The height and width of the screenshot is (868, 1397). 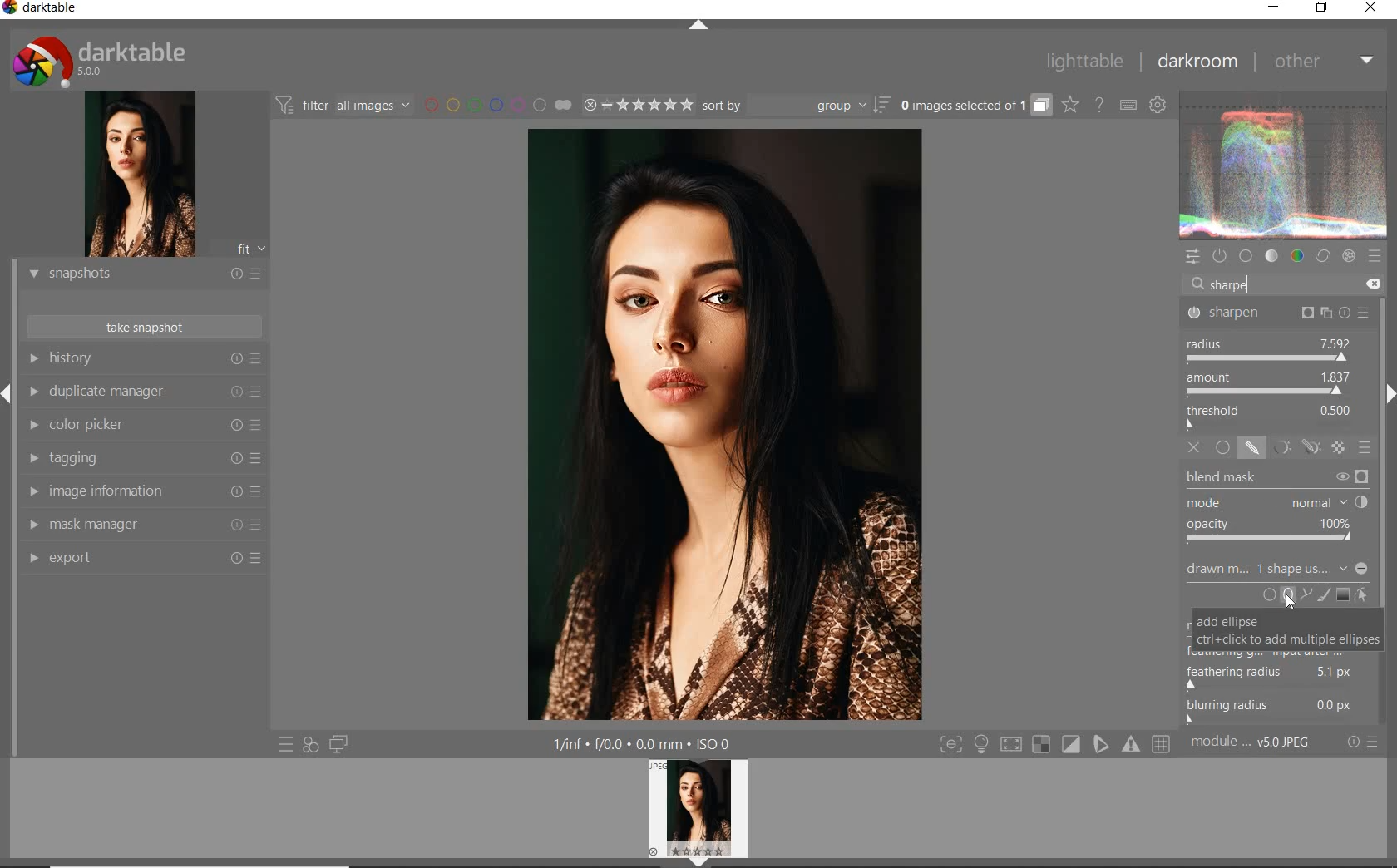 I want to click on OTHER, so click(x=1322, y=62).